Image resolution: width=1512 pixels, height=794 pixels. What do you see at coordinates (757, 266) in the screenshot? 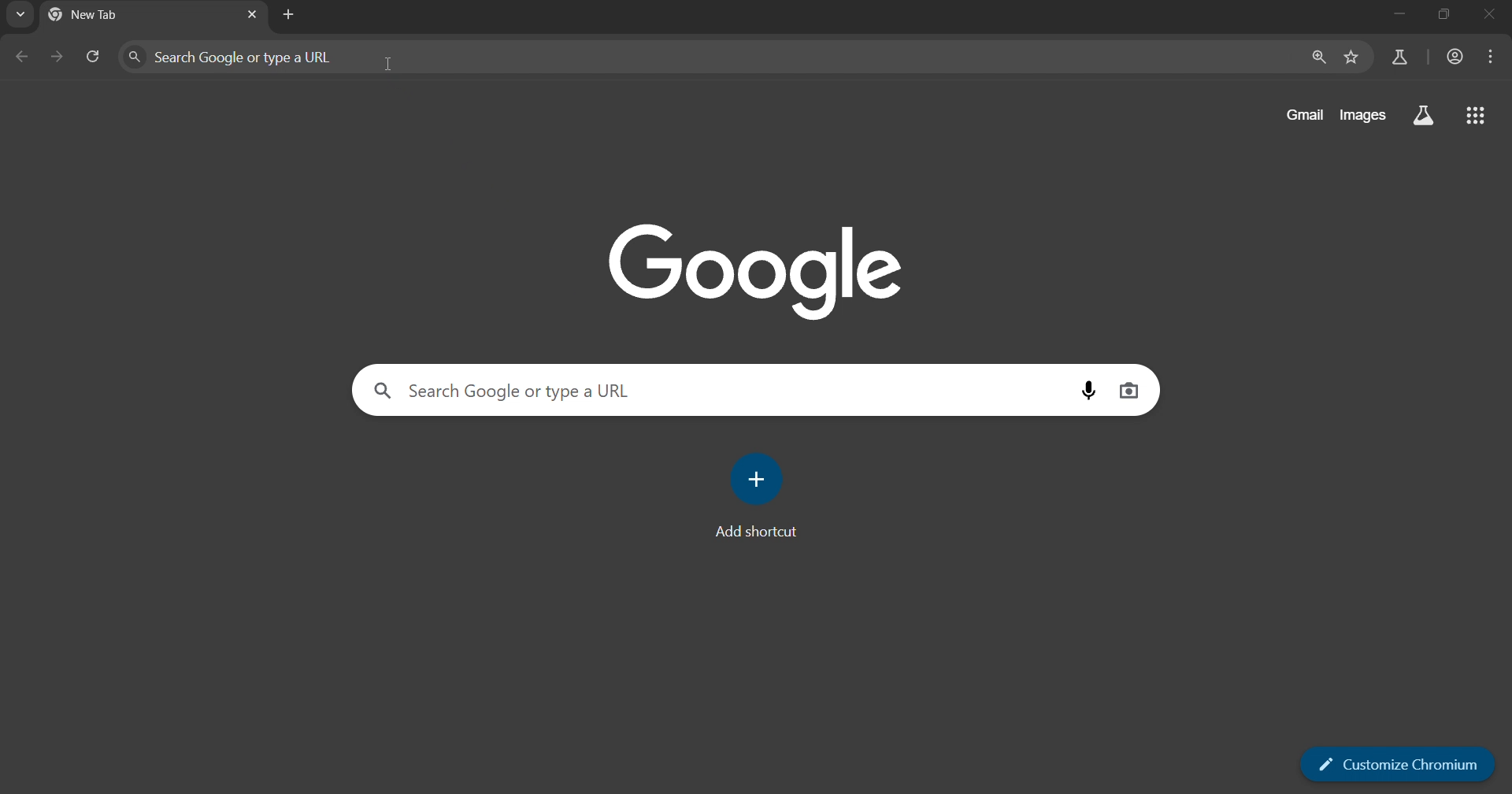
I see `google` at bounding box center [757, 266].